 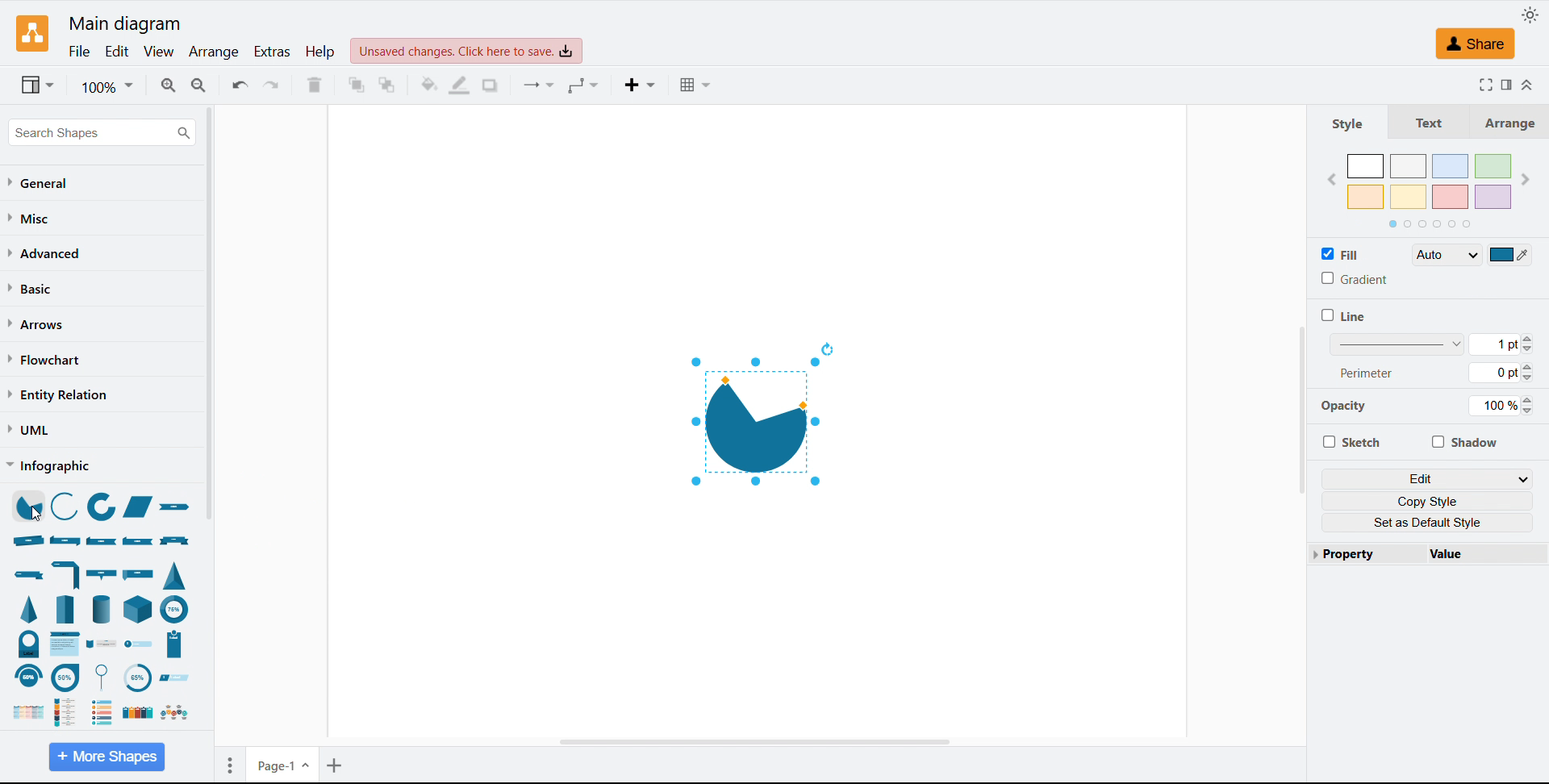 What do you see at coordinates (1528, 179) in the screenshot?
I see `Go forward ` at bounding box center [1528, 179].